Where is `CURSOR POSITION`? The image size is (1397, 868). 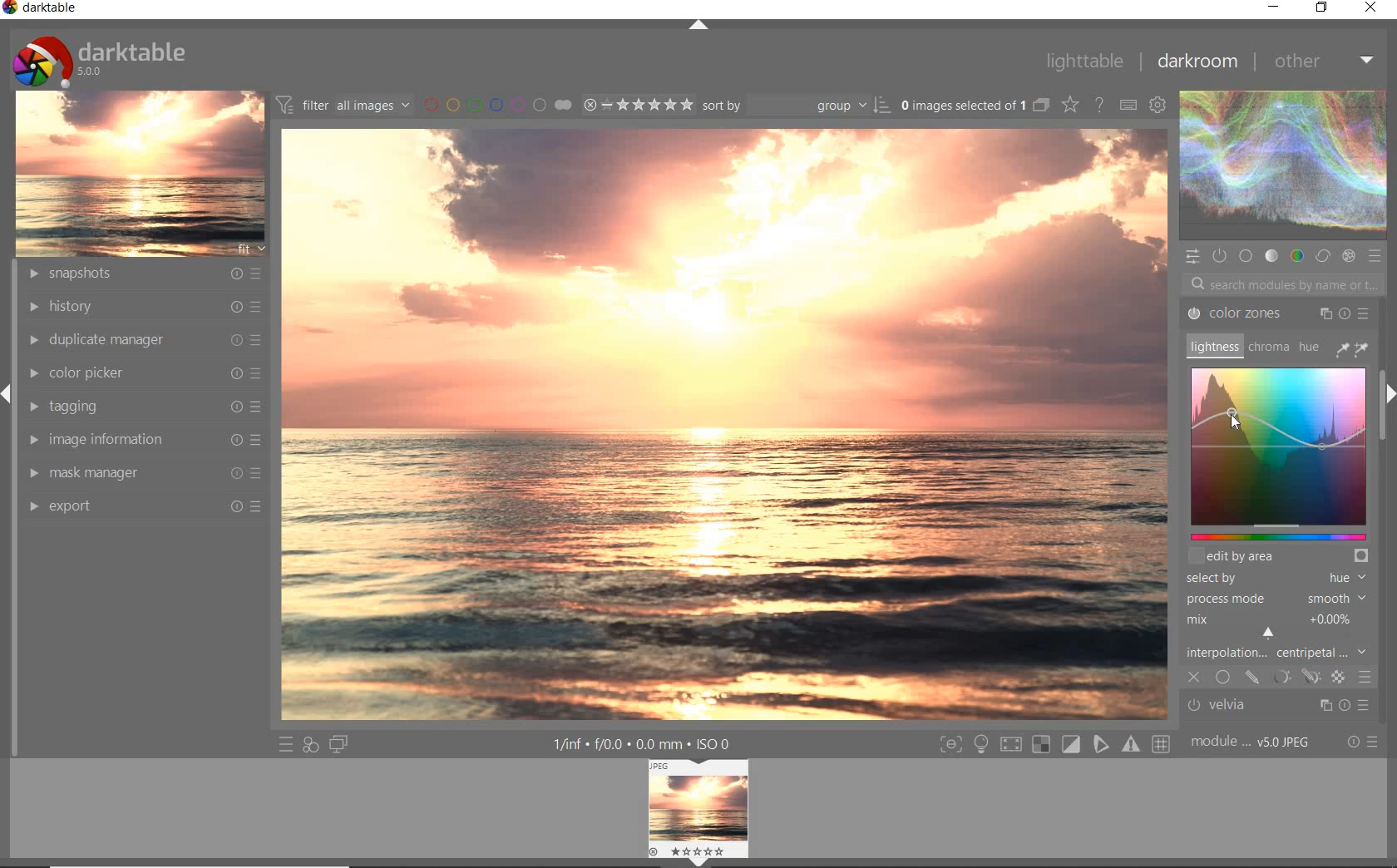 CURSOR POSITION is located at coordinates (1233, 418).